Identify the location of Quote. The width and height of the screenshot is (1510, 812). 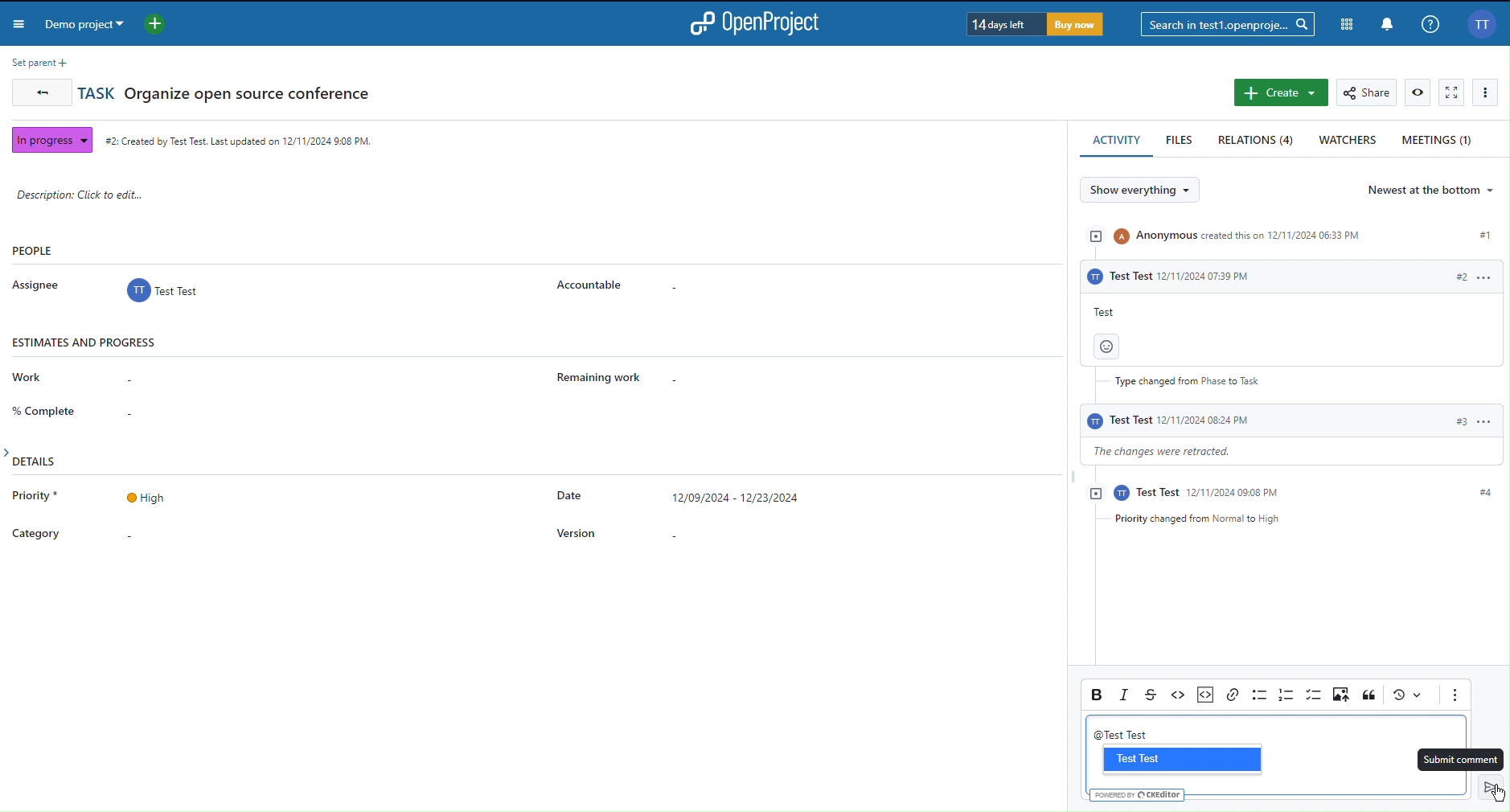
(1369, 695).